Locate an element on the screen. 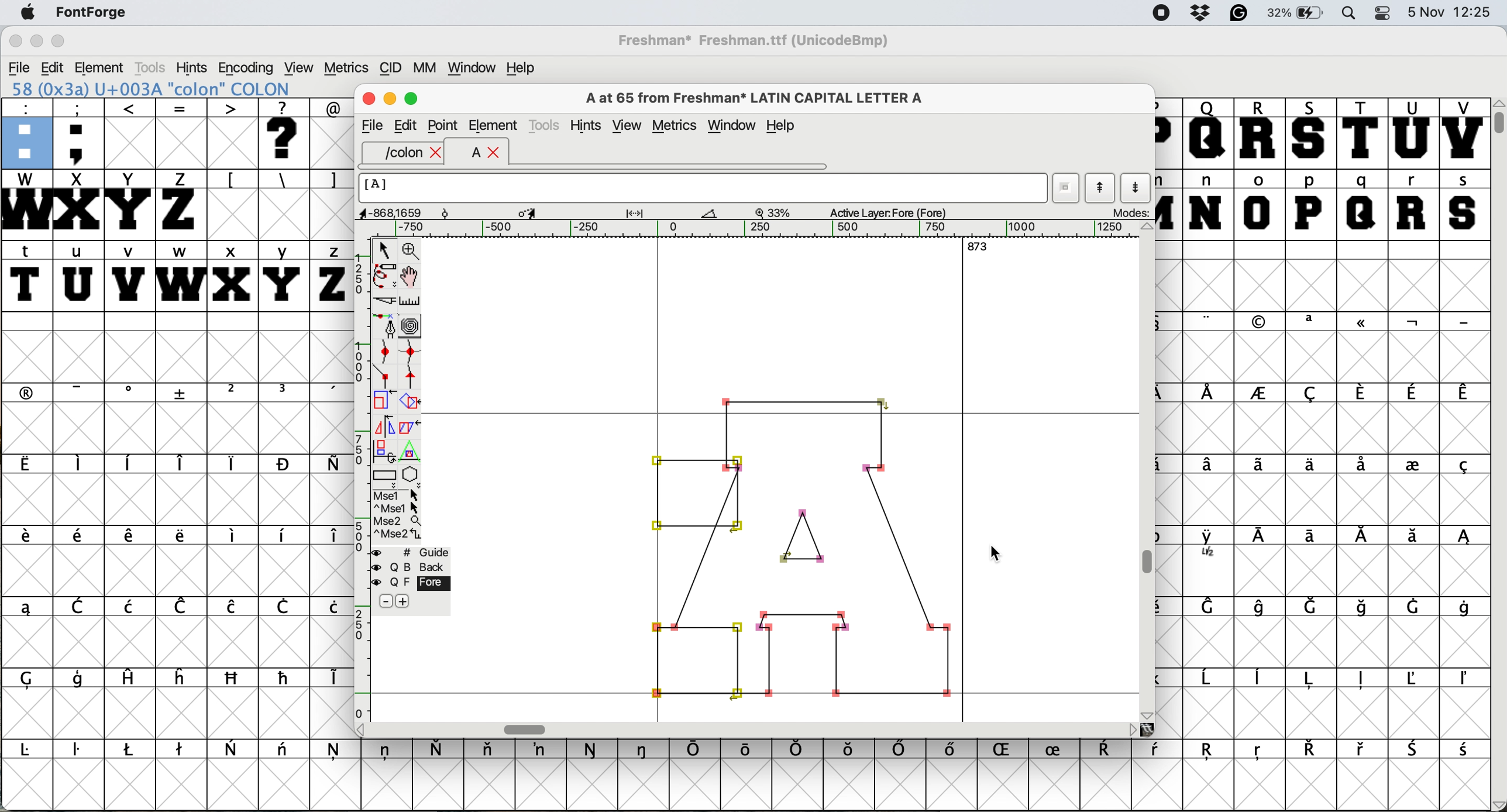  maximise is located at coordinates (412, 99).